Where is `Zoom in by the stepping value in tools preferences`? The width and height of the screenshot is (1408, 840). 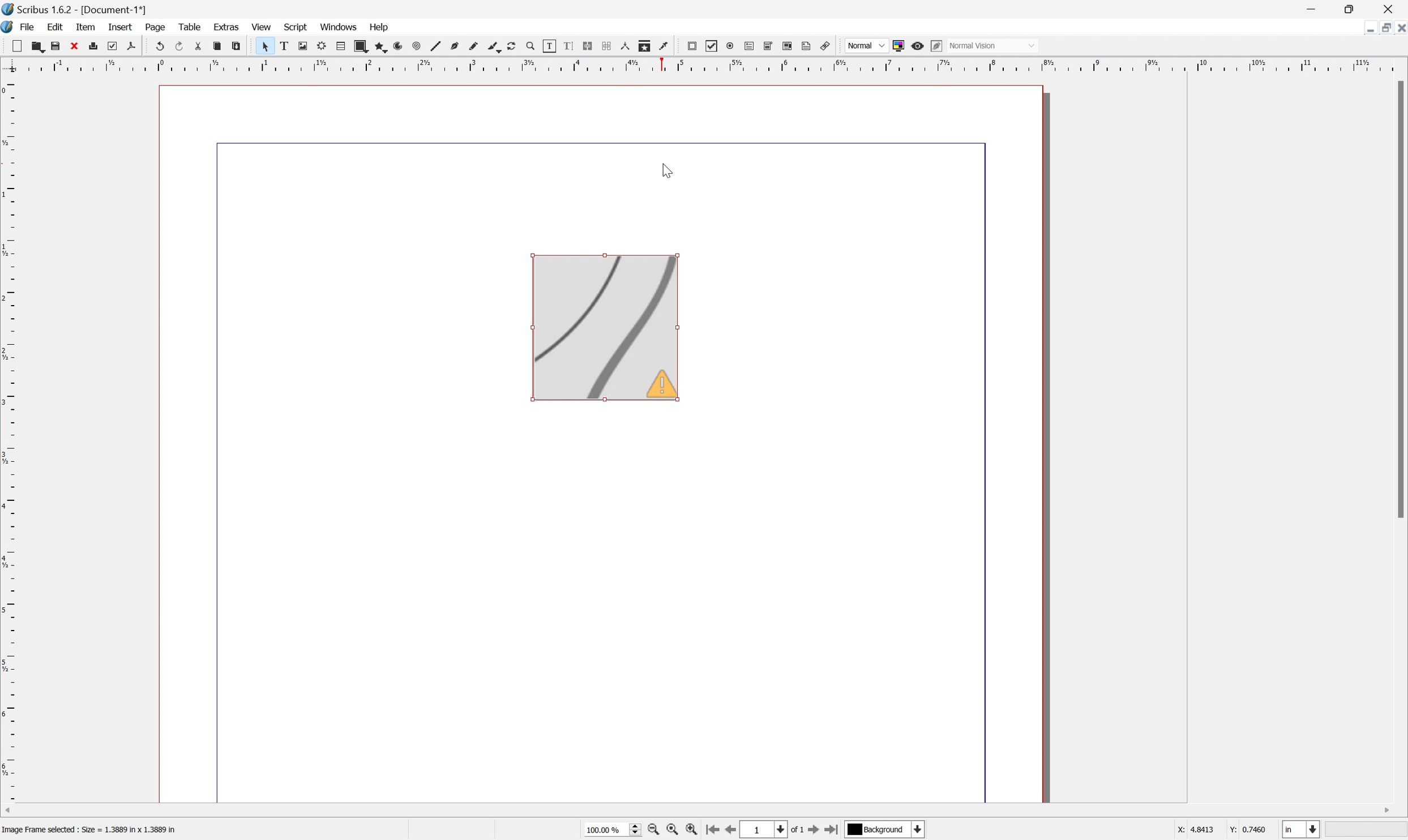 Zoom in by the stepping value in tools preferences is located at coordinates (692, 832).